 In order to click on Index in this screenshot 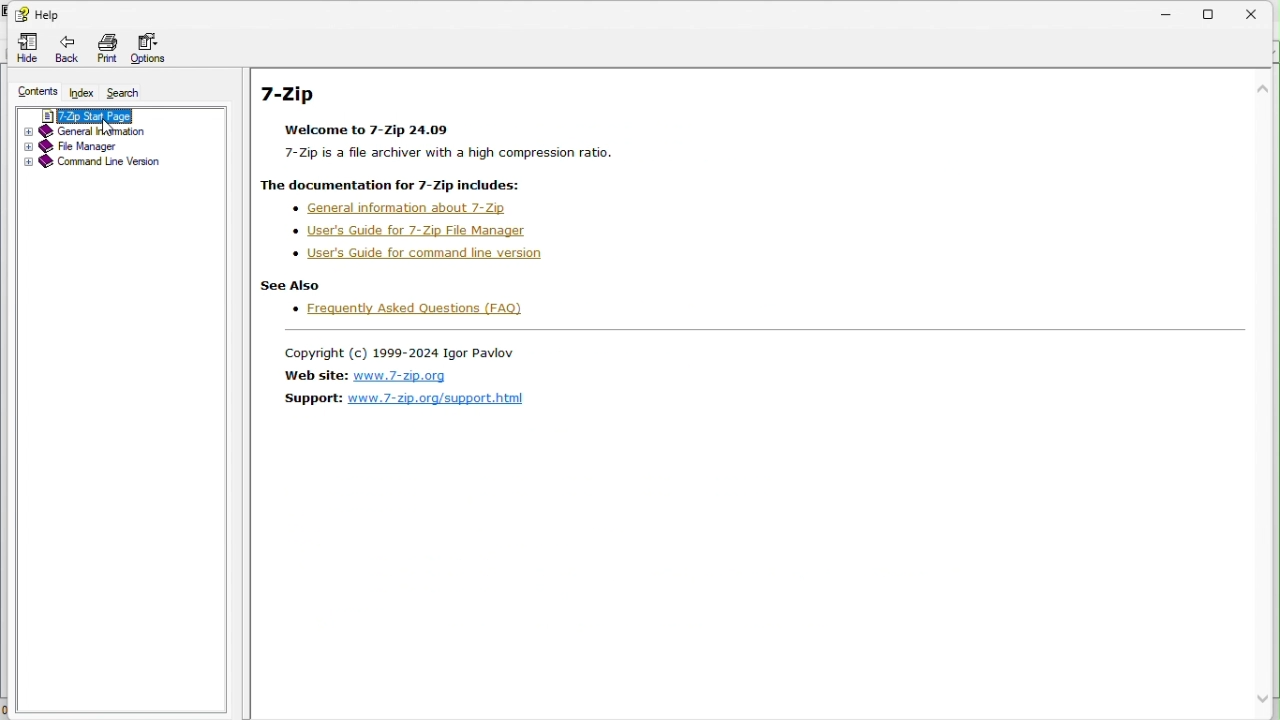, I will do `click(82, 91)`.